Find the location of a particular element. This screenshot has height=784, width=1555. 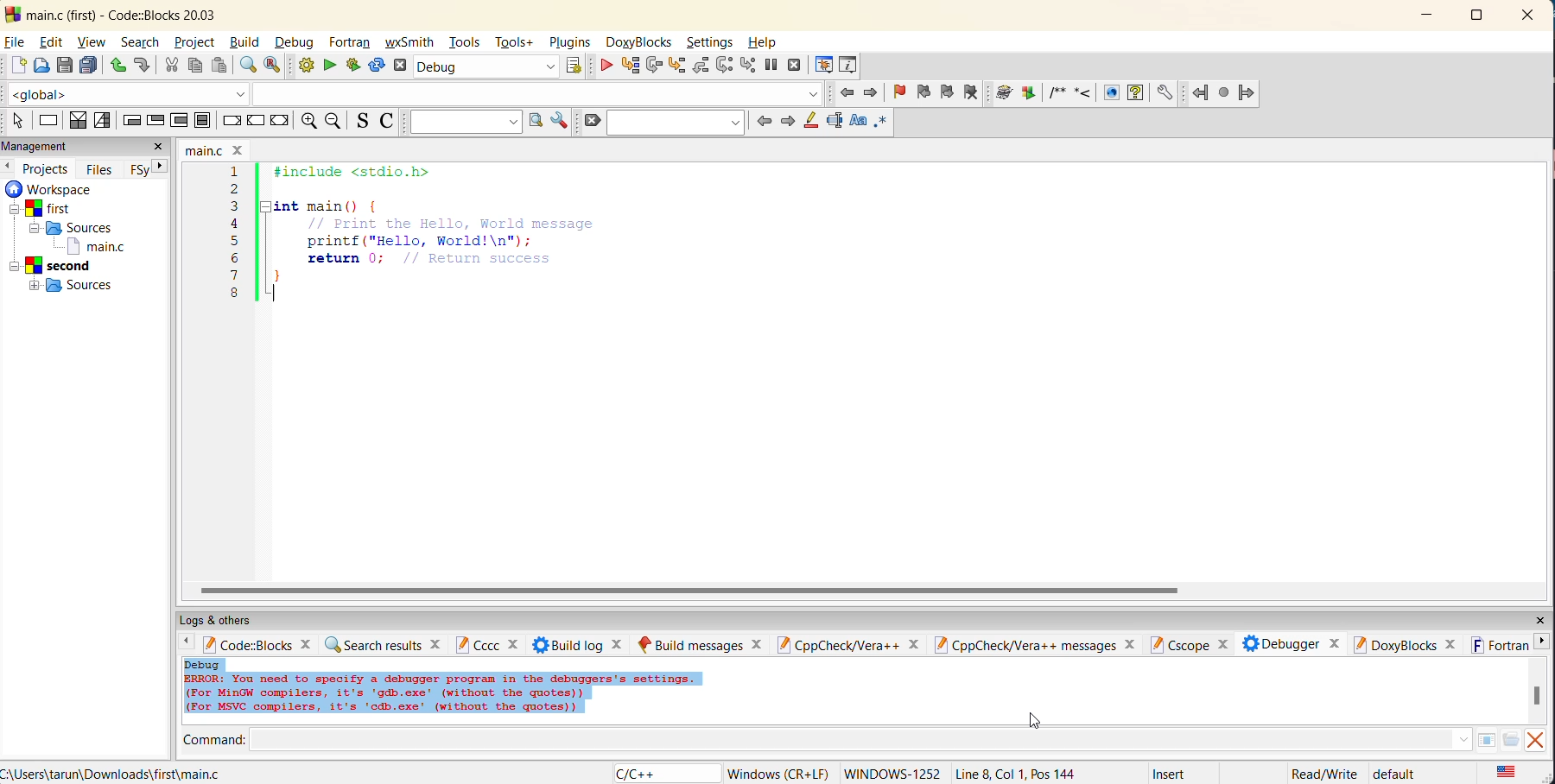

Jump forward is located at coordinates (1246, 93).